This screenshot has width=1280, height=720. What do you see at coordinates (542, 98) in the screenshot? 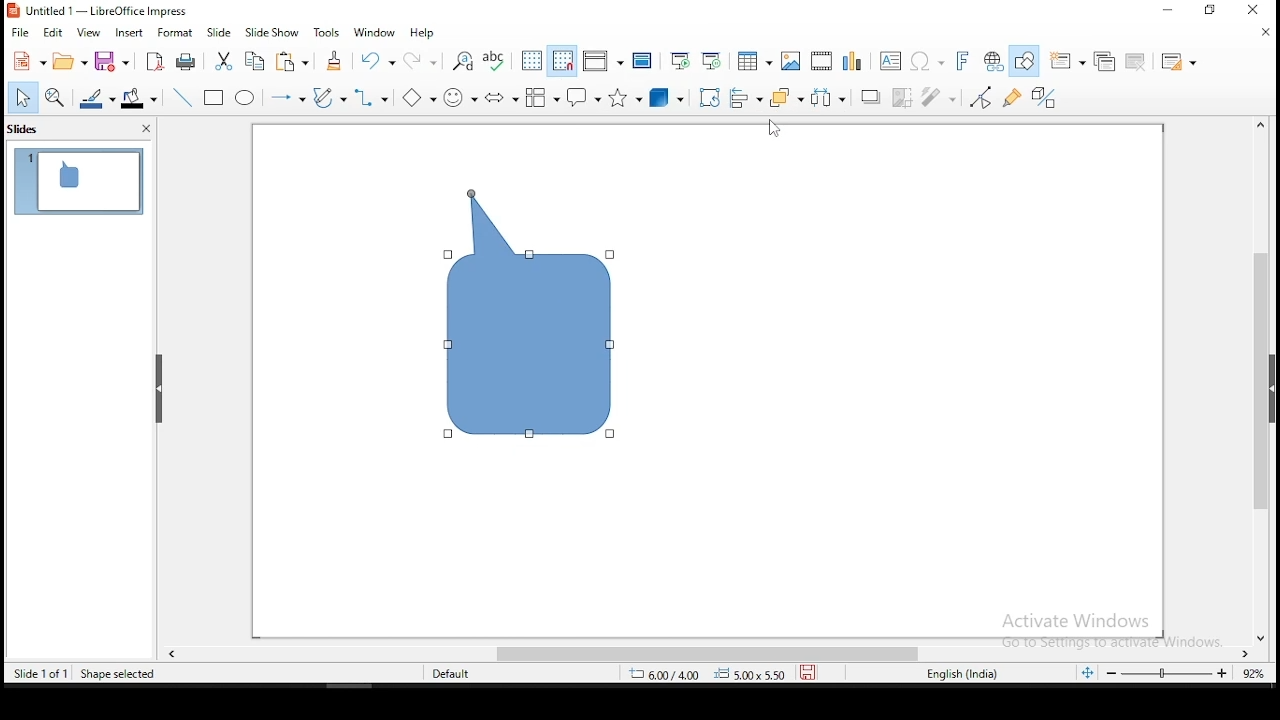
I see `flowchart` at bounding box center [542, 98].